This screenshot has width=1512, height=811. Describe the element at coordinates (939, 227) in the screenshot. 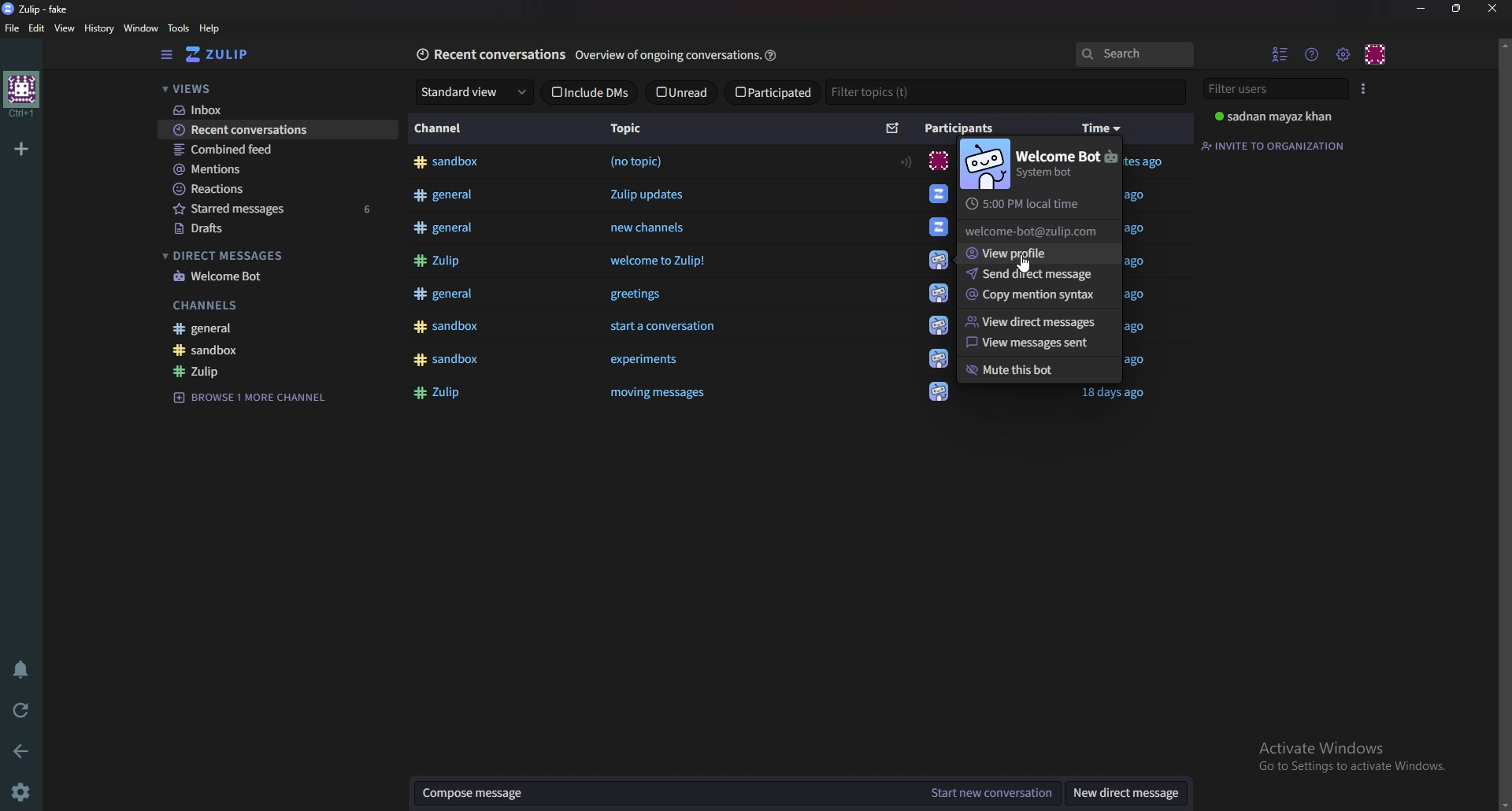

I see `Welcome Bot` at that location.